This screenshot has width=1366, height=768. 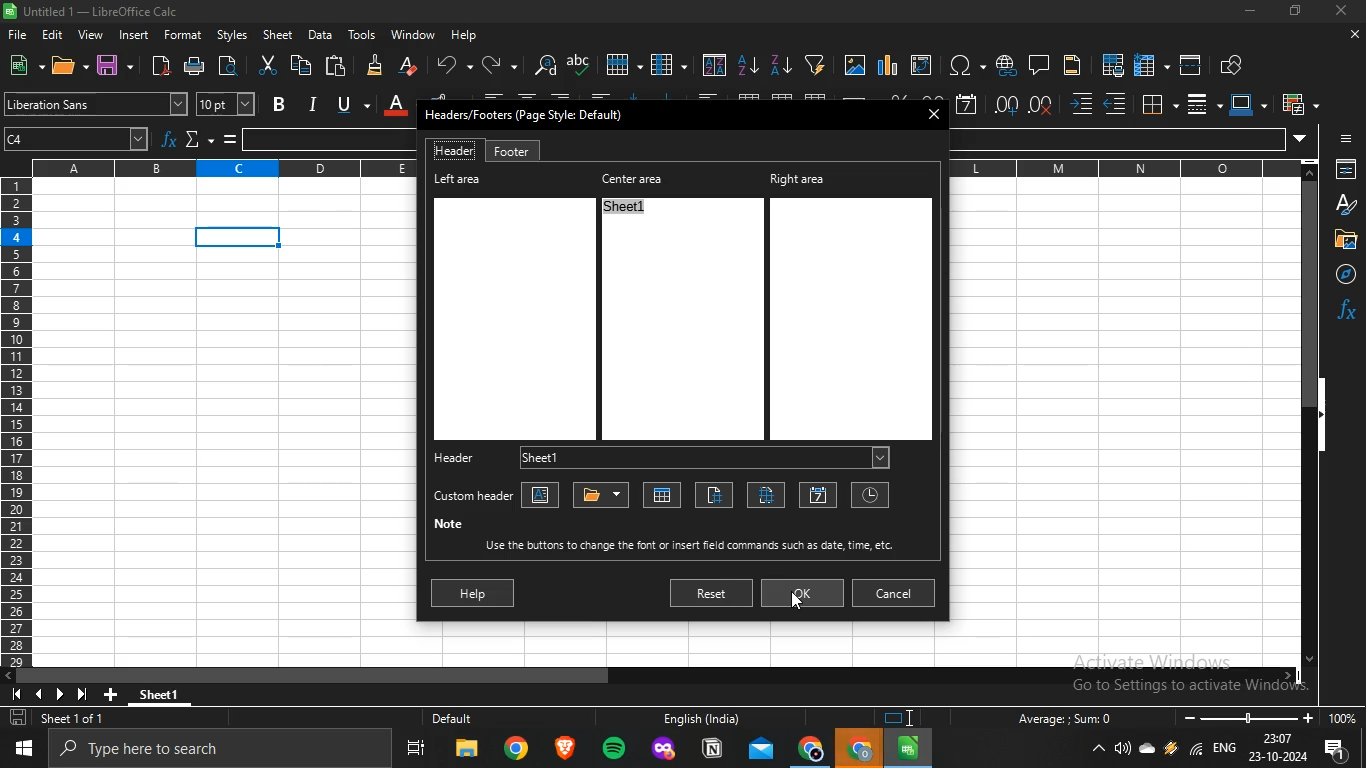 What do you see at coordinates (815, 63) in the screenshot?
I see `create filter` at bounding box center [815, 63].